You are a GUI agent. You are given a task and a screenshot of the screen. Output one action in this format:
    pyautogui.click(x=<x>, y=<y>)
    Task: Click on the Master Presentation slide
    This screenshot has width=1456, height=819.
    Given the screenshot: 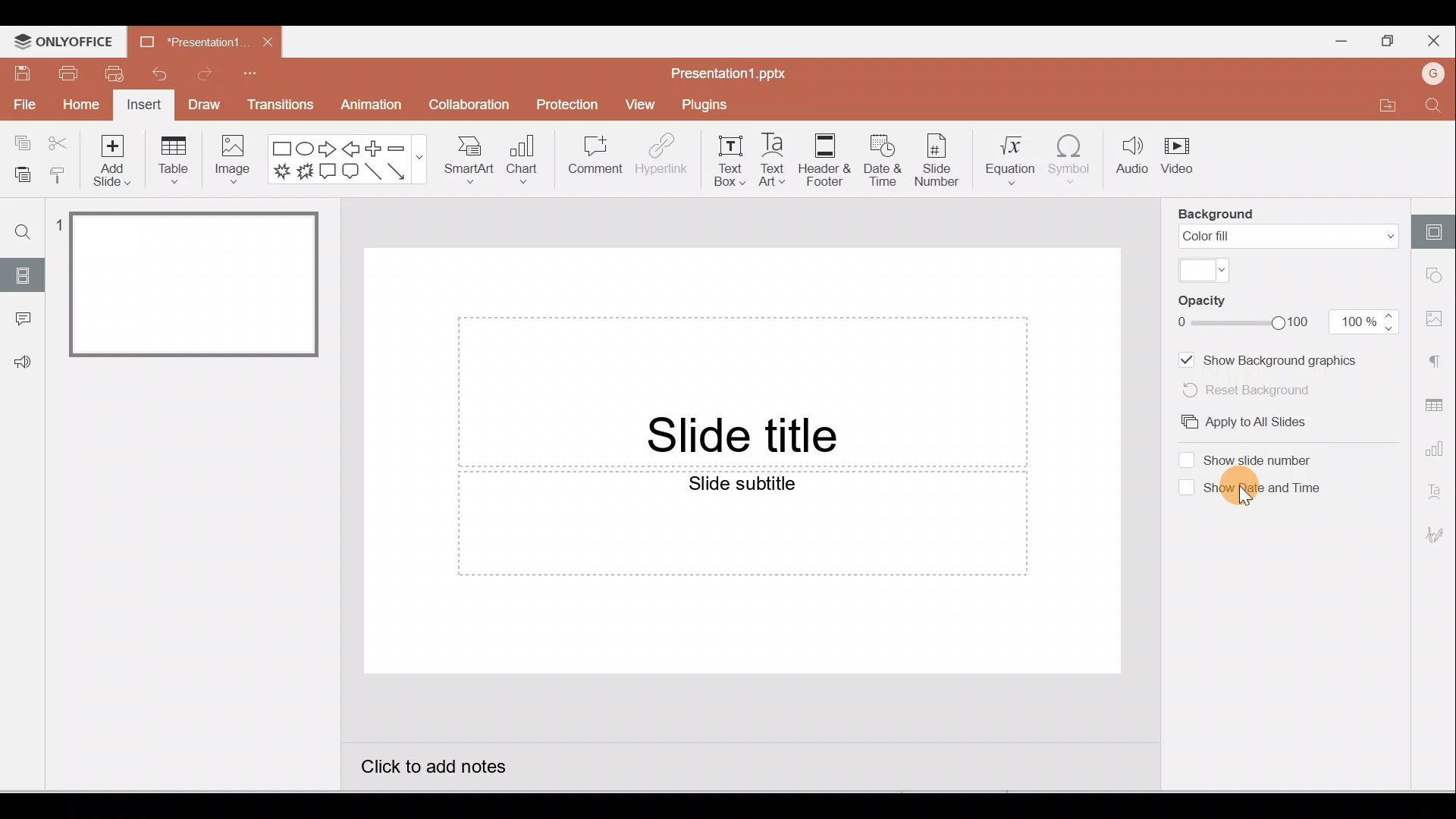 What is the action you would take?
    pyautogui.click(x=742, y=488)
    